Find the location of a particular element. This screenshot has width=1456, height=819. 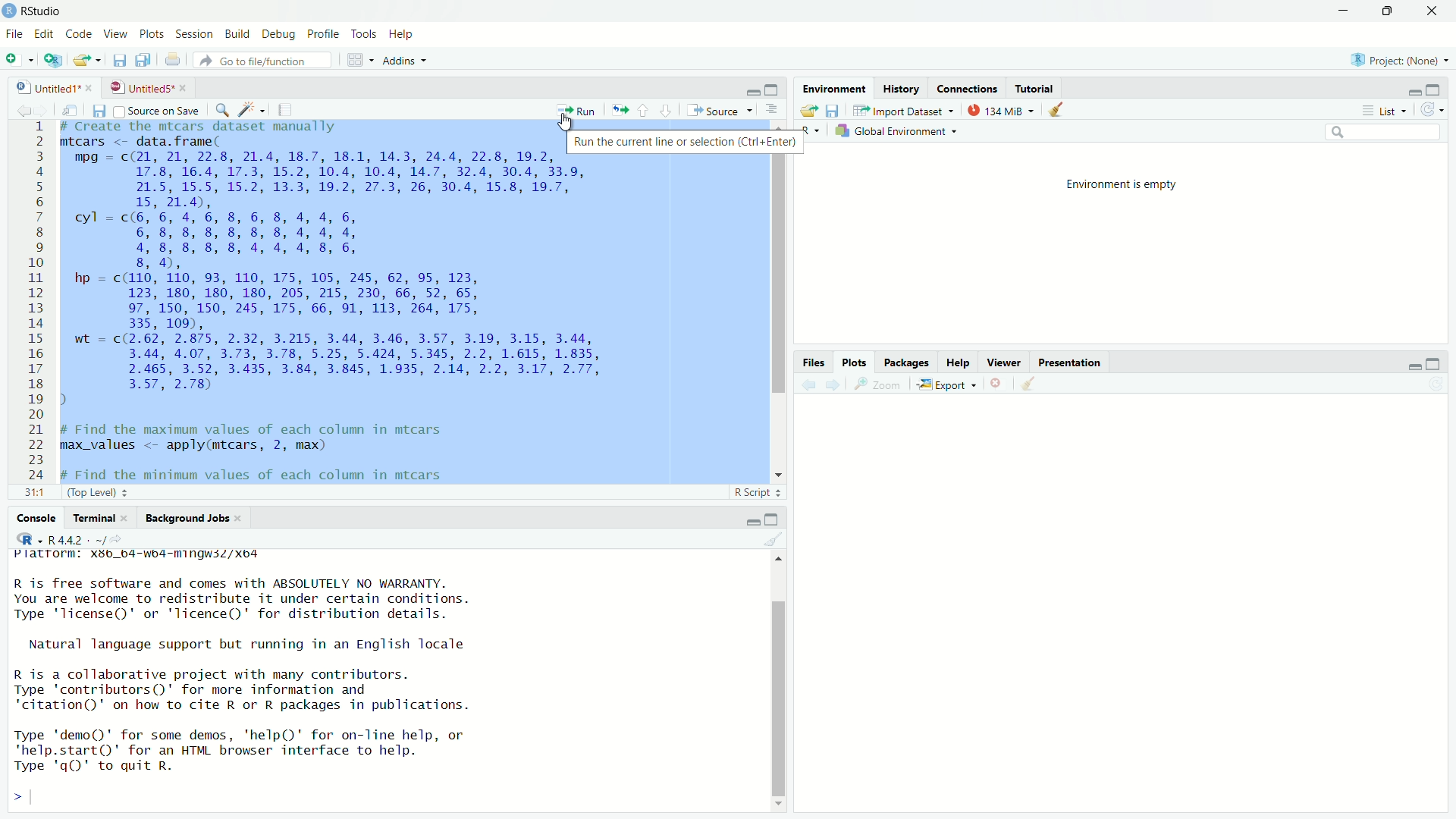

Tutorial is located at coordinates (1037, 88).